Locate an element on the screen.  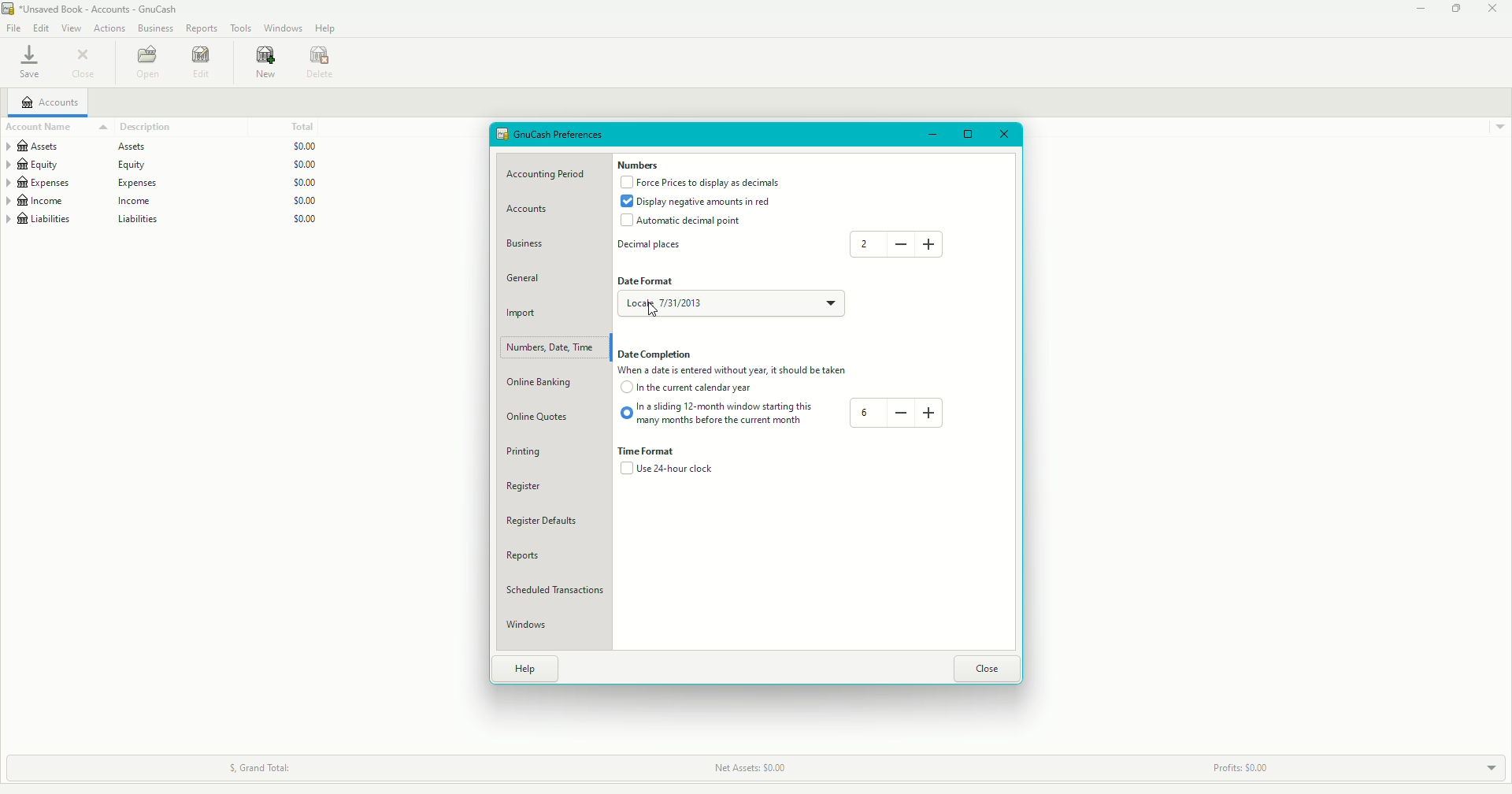
Minimize is located at coordinates (934, 134).